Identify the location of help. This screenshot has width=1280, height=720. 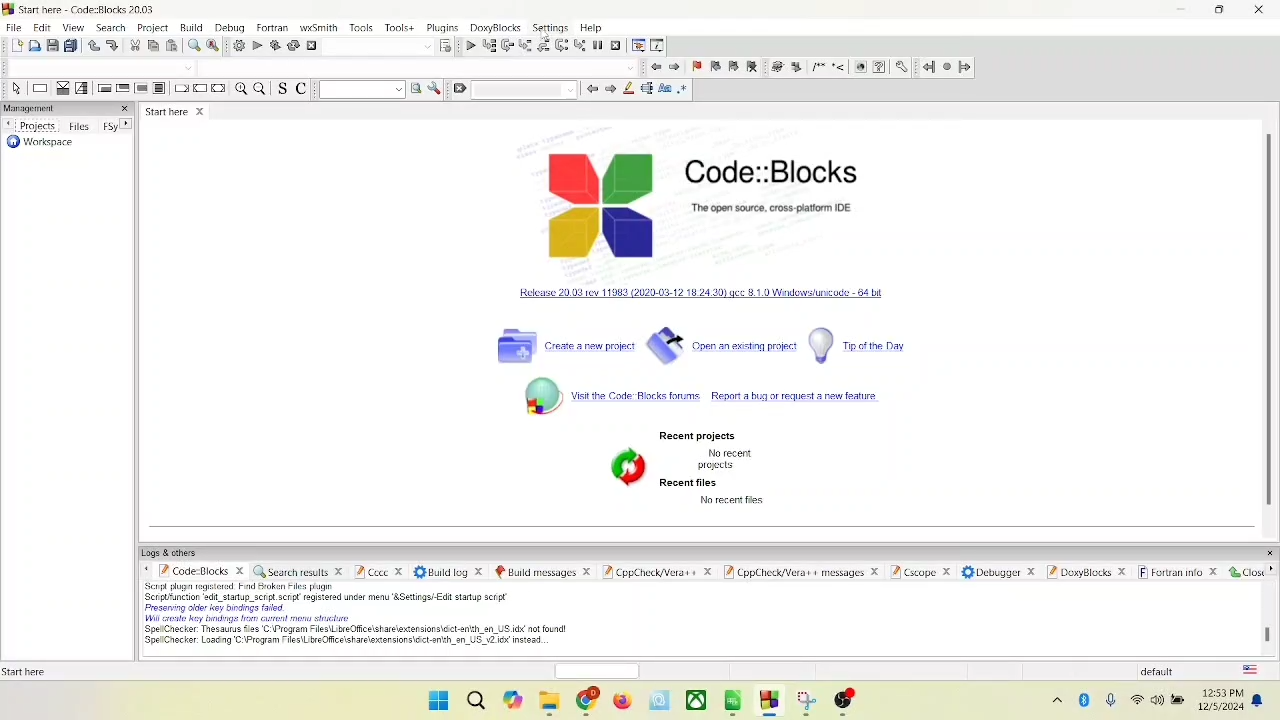
(591, 28).